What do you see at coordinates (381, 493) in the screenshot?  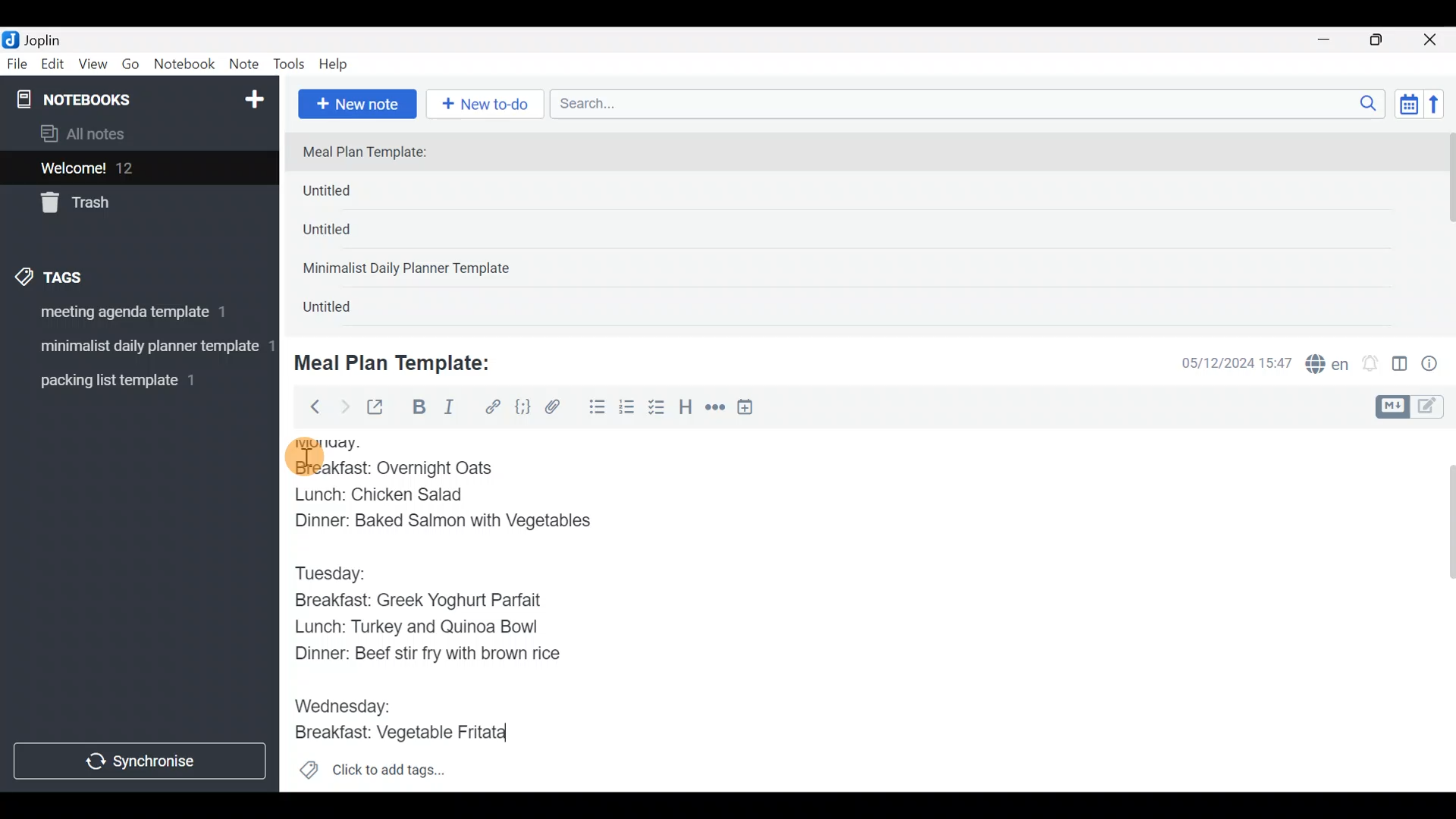 I see `Lunch: Chicken Salad` at bounding box center [381, 493].